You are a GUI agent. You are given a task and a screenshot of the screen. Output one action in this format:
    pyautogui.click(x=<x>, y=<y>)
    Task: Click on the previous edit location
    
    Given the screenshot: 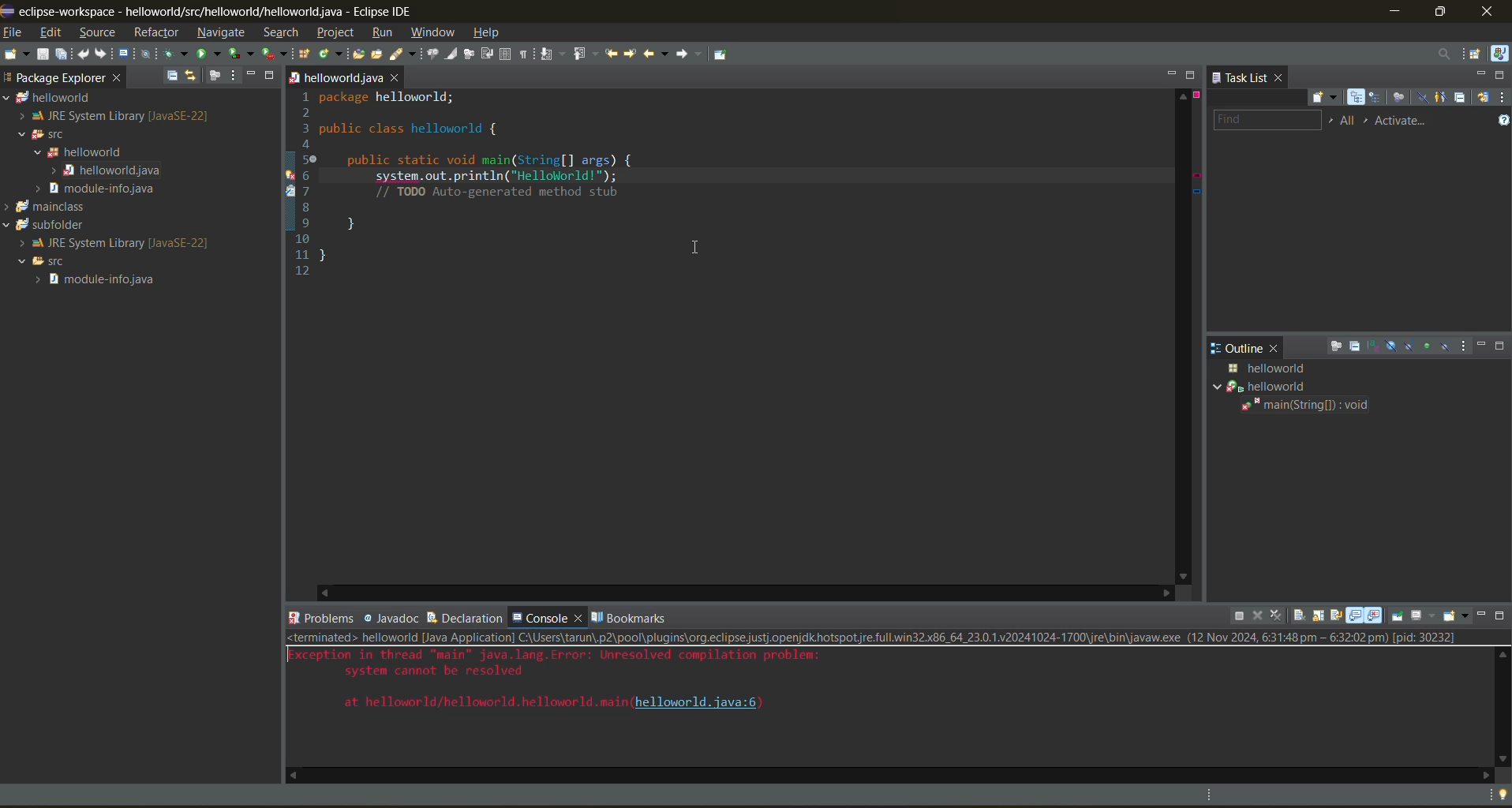 What is the action you would take?
    pyautogui.click(x=612, y=53)
    